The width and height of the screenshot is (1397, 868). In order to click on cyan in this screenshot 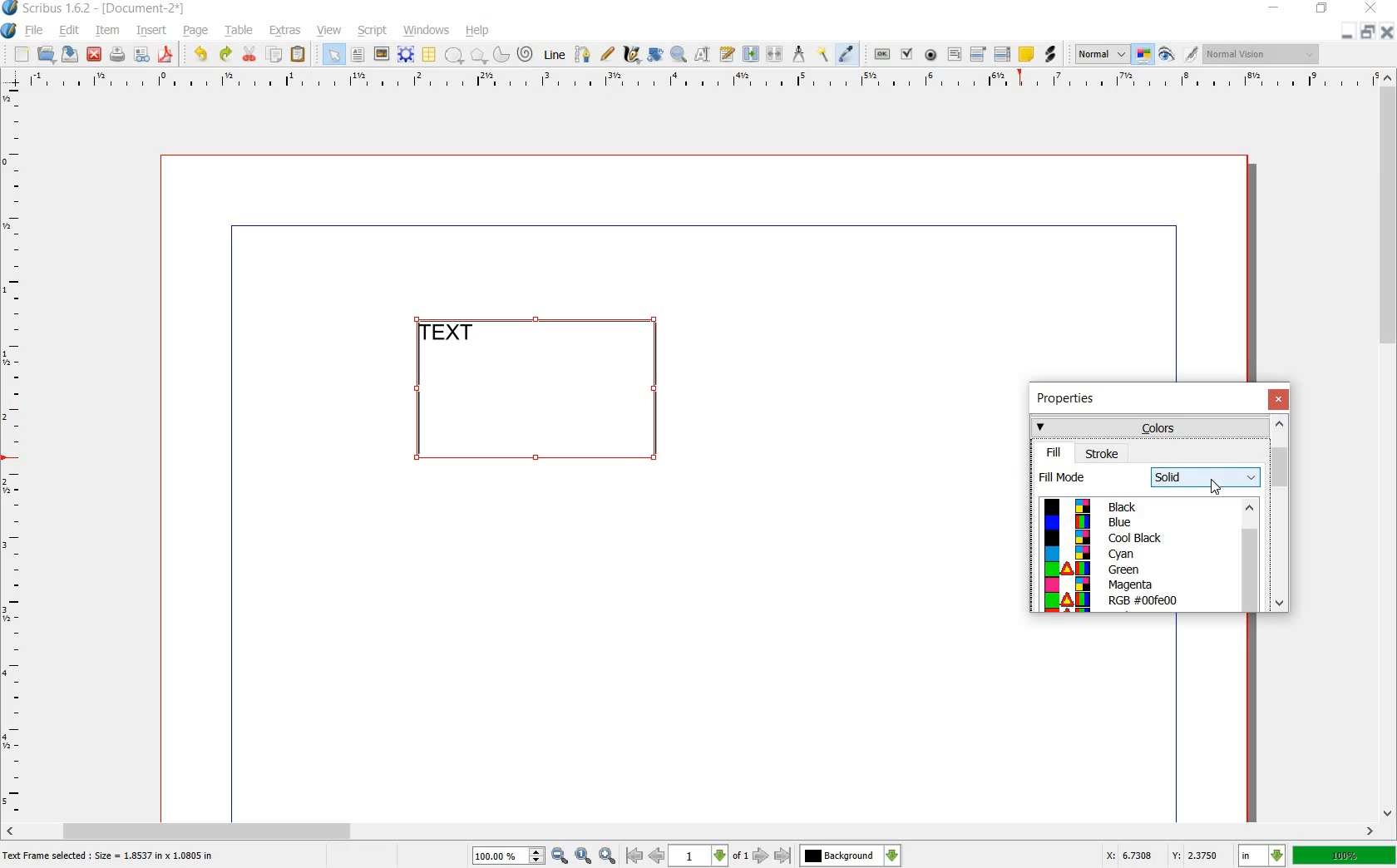, I will do `click(1123, 555)`.